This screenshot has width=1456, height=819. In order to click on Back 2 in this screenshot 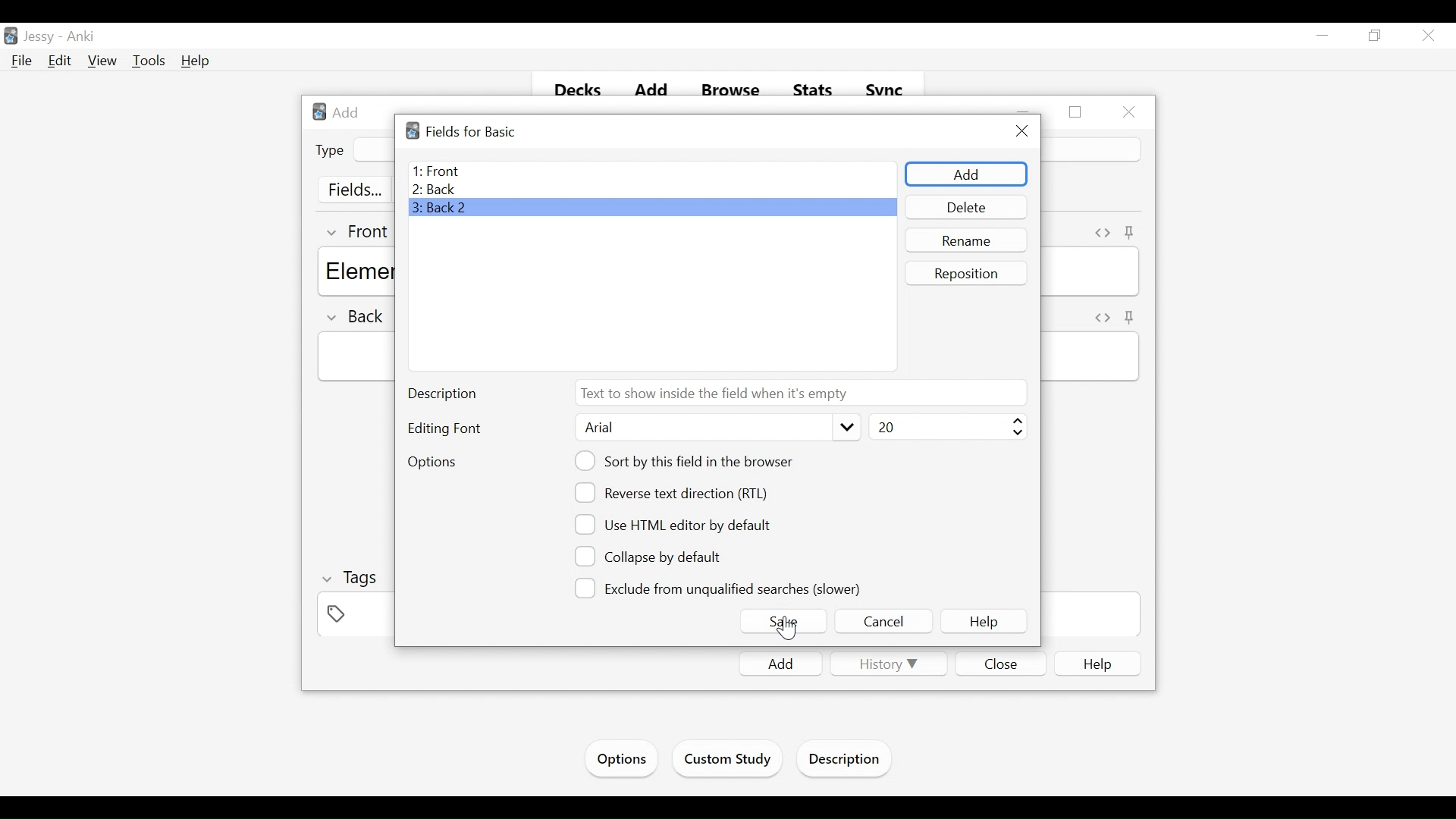, I will do `click(652, 206)`.